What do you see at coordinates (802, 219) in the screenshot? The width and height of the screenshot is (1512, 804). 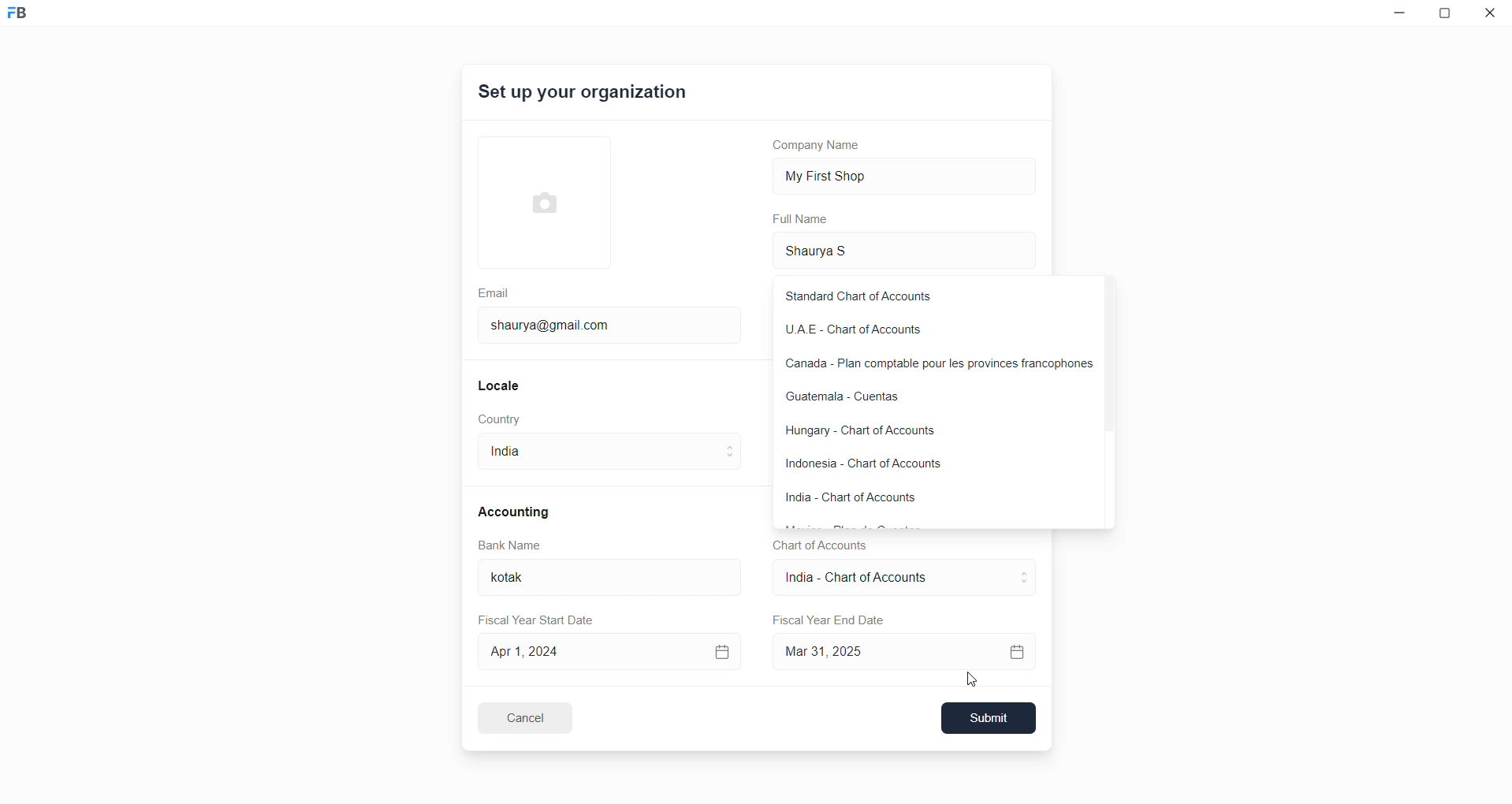 I see `Full Name` at bounding box center [802, 219].